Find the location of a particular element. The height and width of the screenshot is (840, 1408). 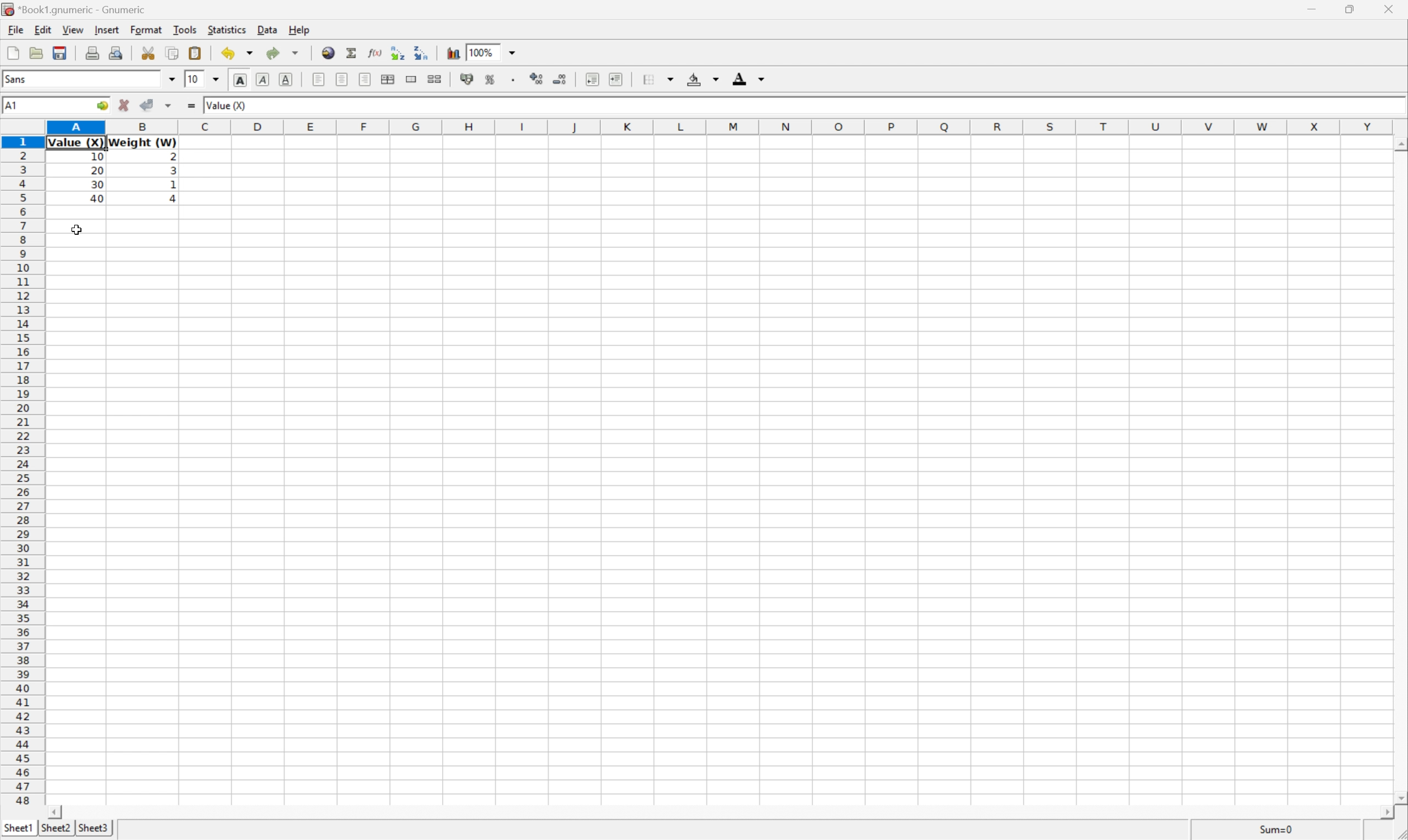

Decrease the number of decimals displayed is located at coordinates (562, 79).